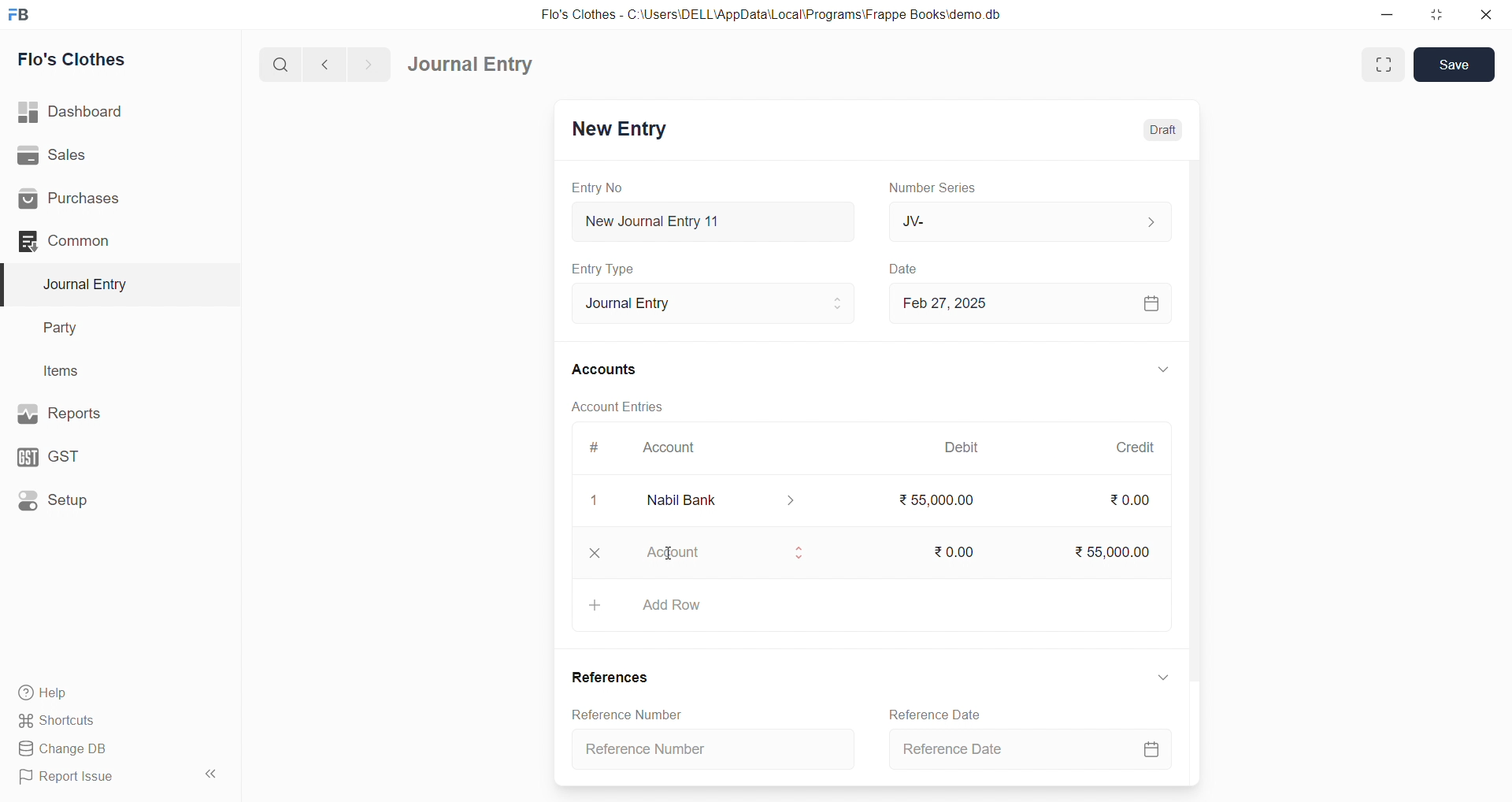 The width and height of the screenshot is (1512, 802). I want to click on minimize, so click(1384, 13).